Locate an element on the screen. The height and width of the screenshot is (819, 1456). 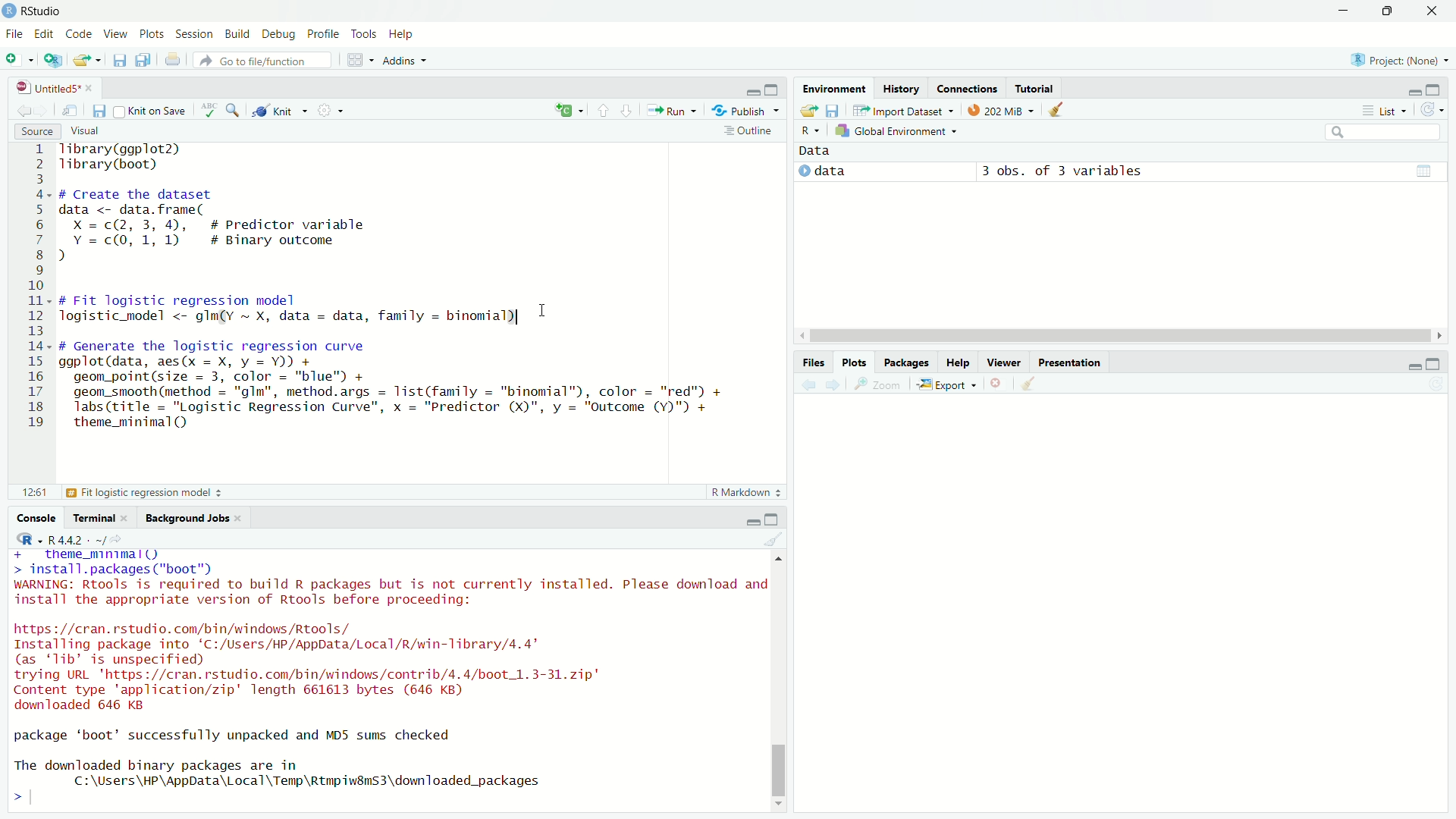
Go back to previous source location is located at coordinates (24, 111).